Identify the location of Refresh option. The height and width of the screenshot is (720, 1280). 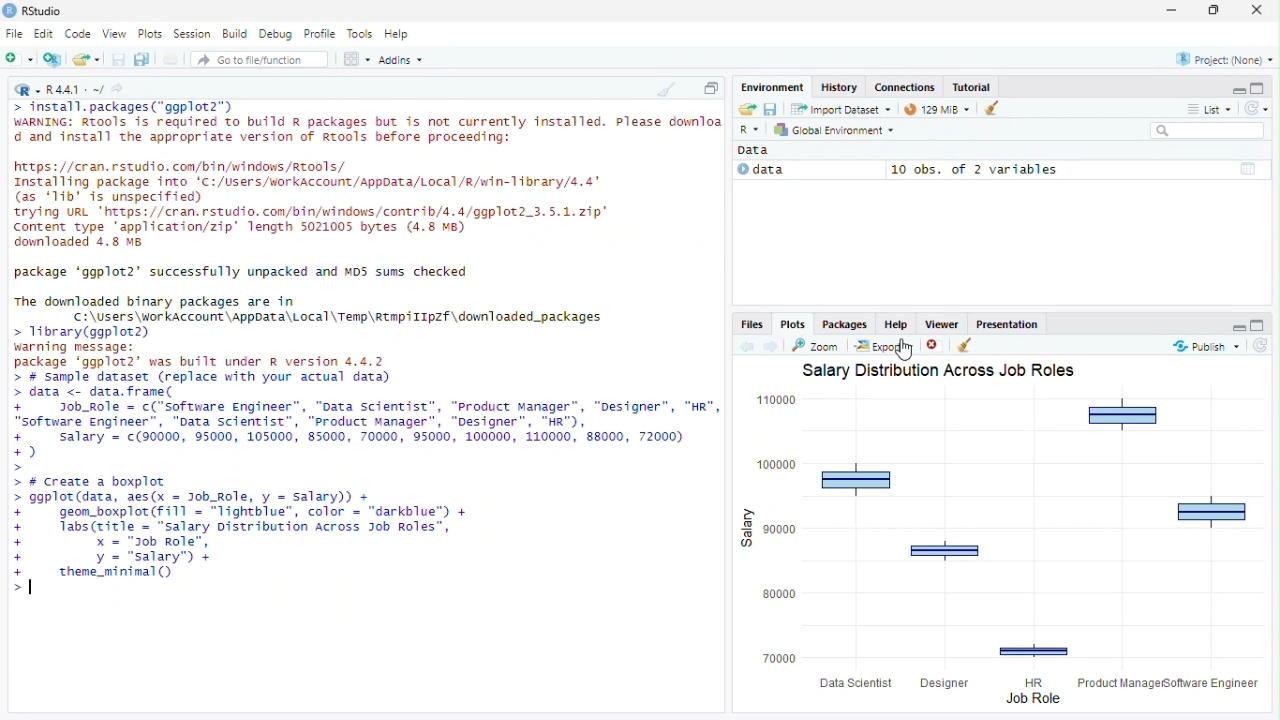
(1255, 107).